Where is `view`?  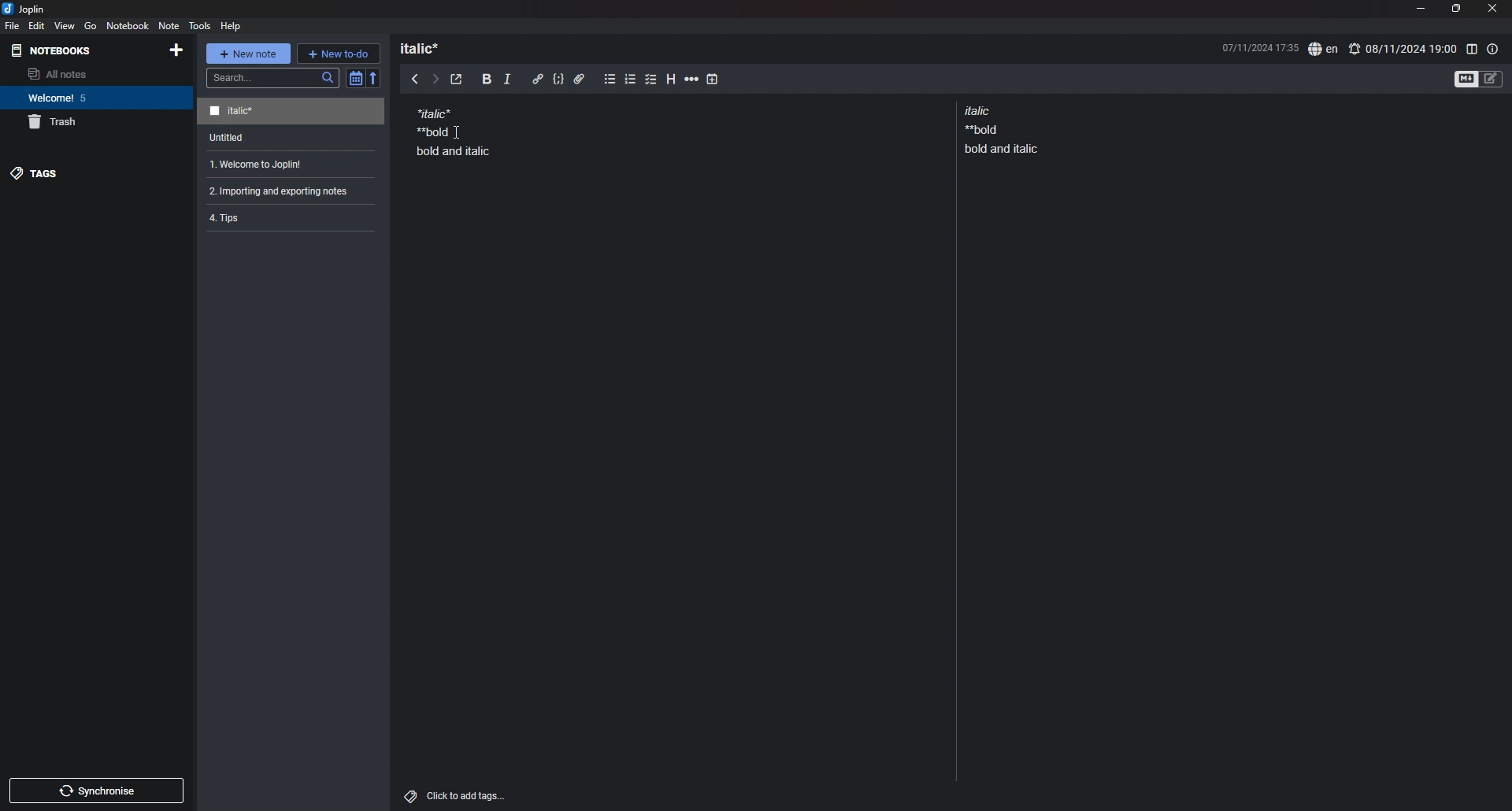 view is located at coordinates (65, 25).